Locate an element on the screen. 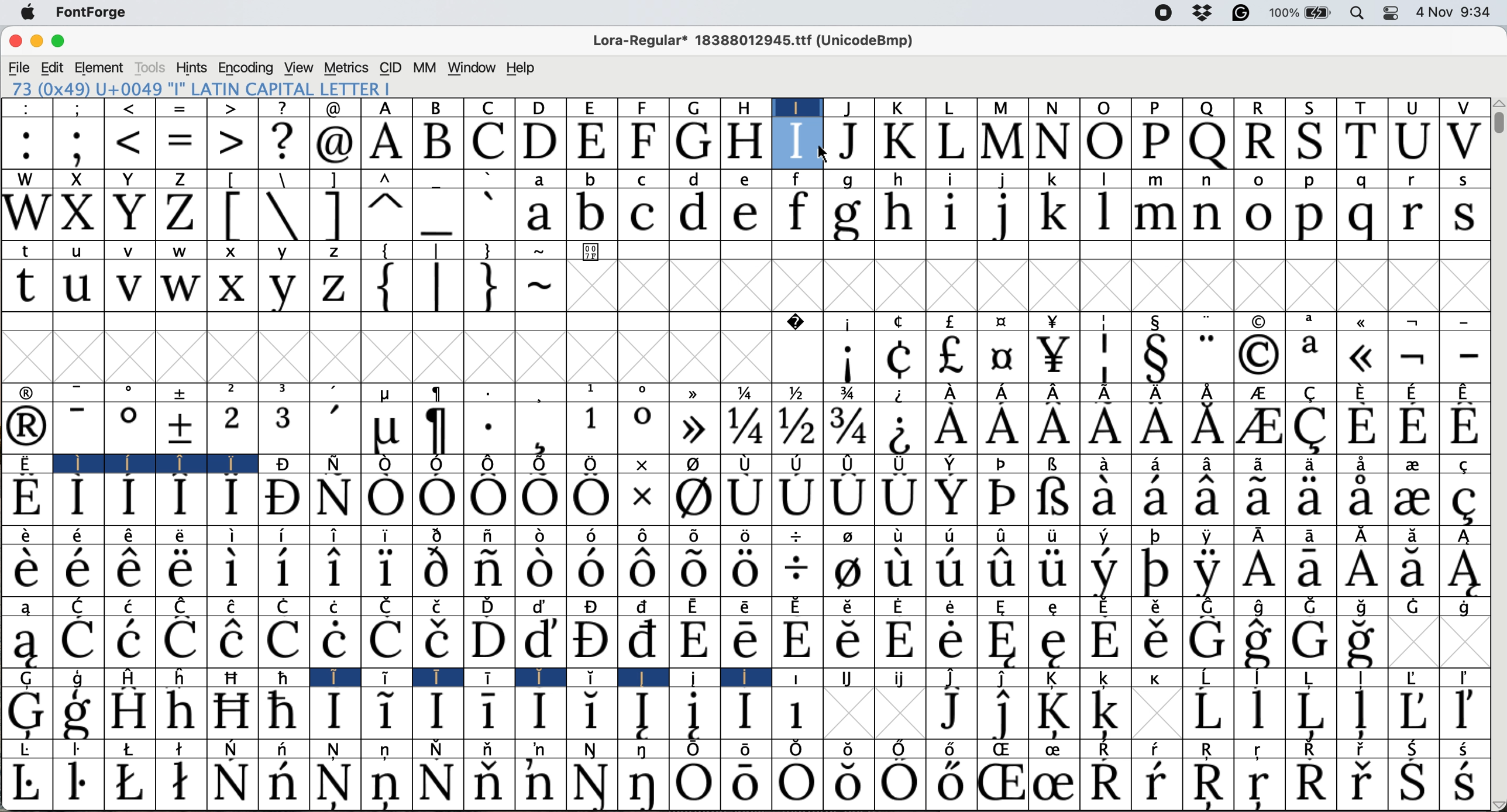 Image resolution: width=1507 pixels, height=812 pixels. Symbol is located at coordinates (1261, 787).